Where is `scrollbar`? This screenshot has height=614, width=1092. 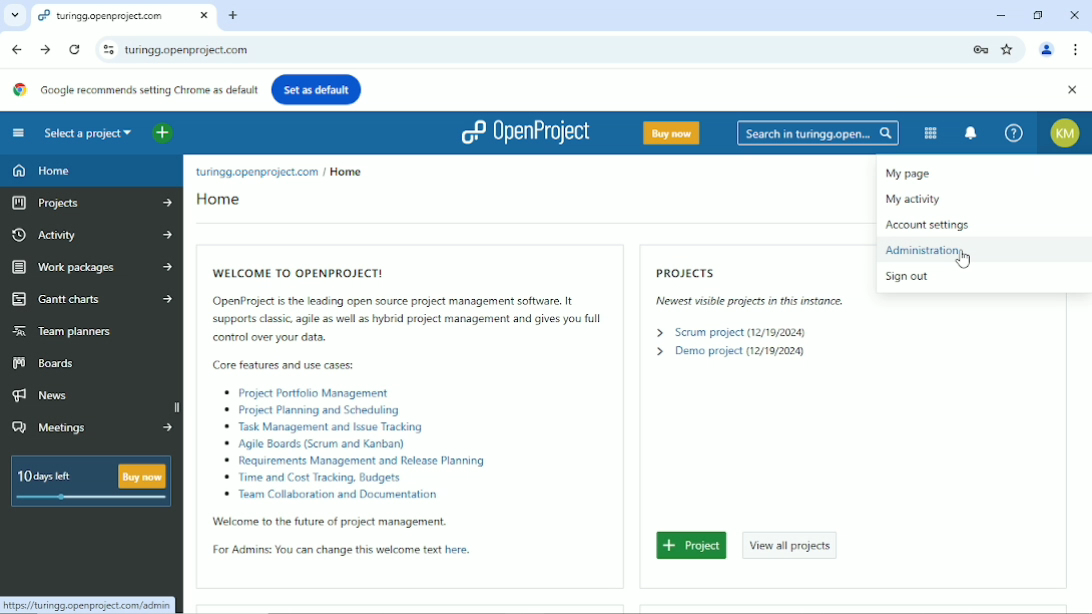 scrollbar is located at coordinates (176, 404).